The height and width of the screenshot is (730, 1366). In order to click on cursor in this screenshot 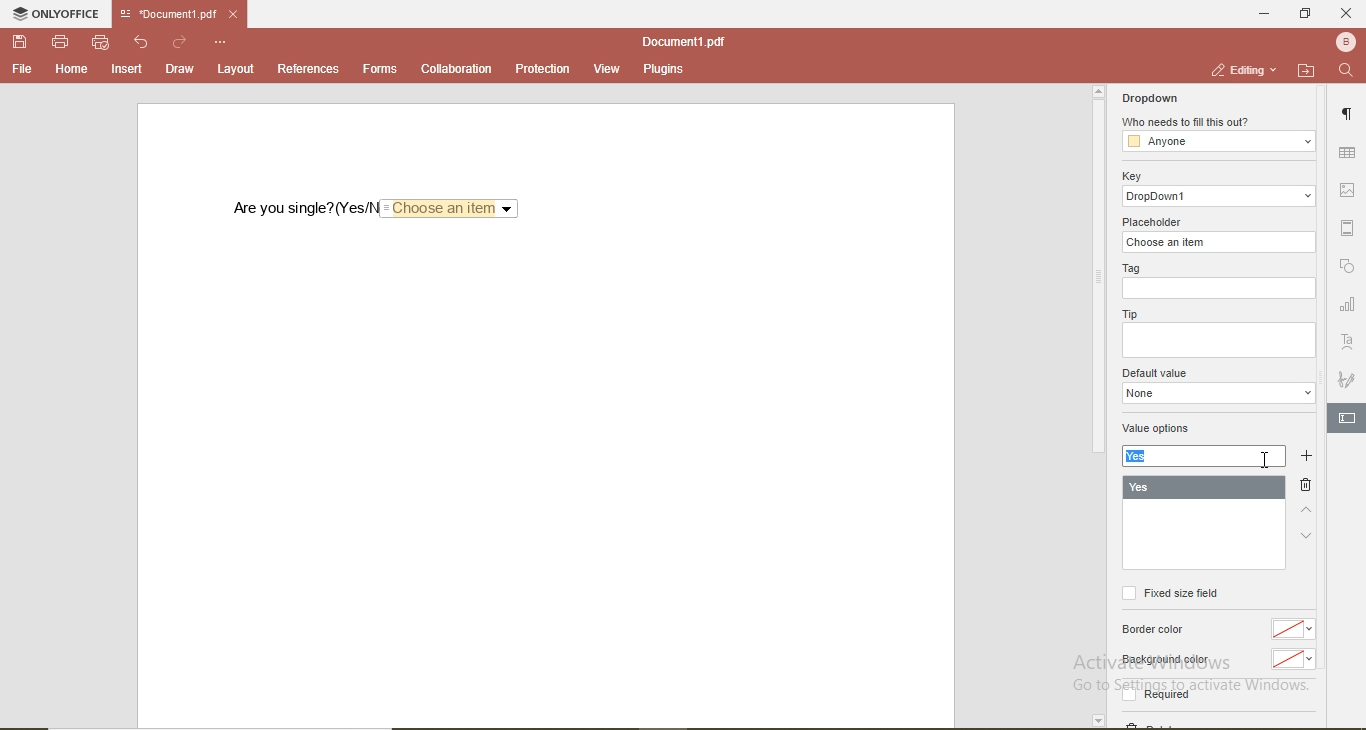, I will do `click(1262, 463)`.